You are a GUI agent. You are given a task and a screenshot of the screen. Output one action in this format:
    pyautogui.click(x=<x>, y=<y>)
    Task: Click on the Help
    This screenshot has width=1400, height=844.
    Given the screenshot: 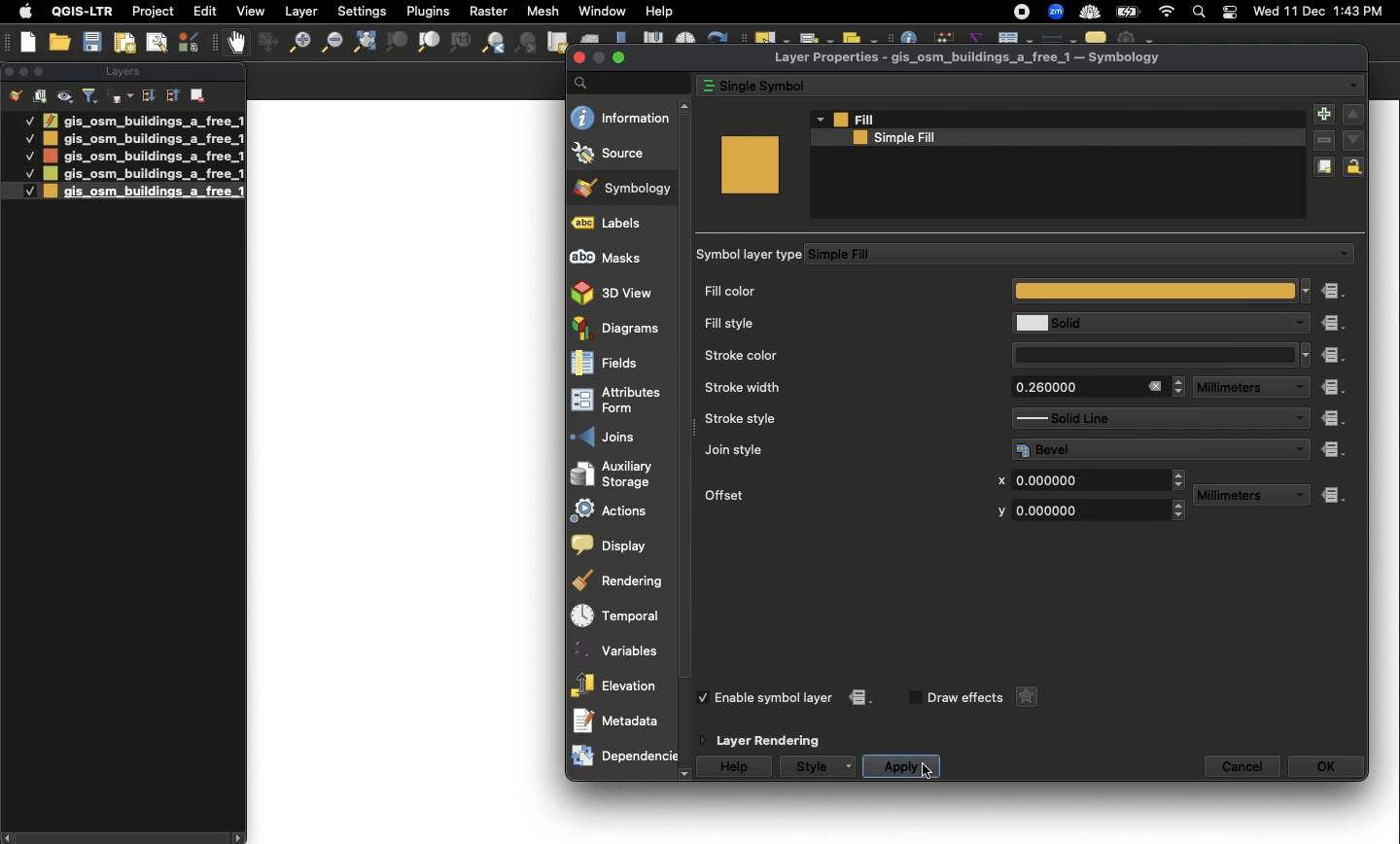 What is the action you would take?
    pyautogui.click(x=736, y=767)
    